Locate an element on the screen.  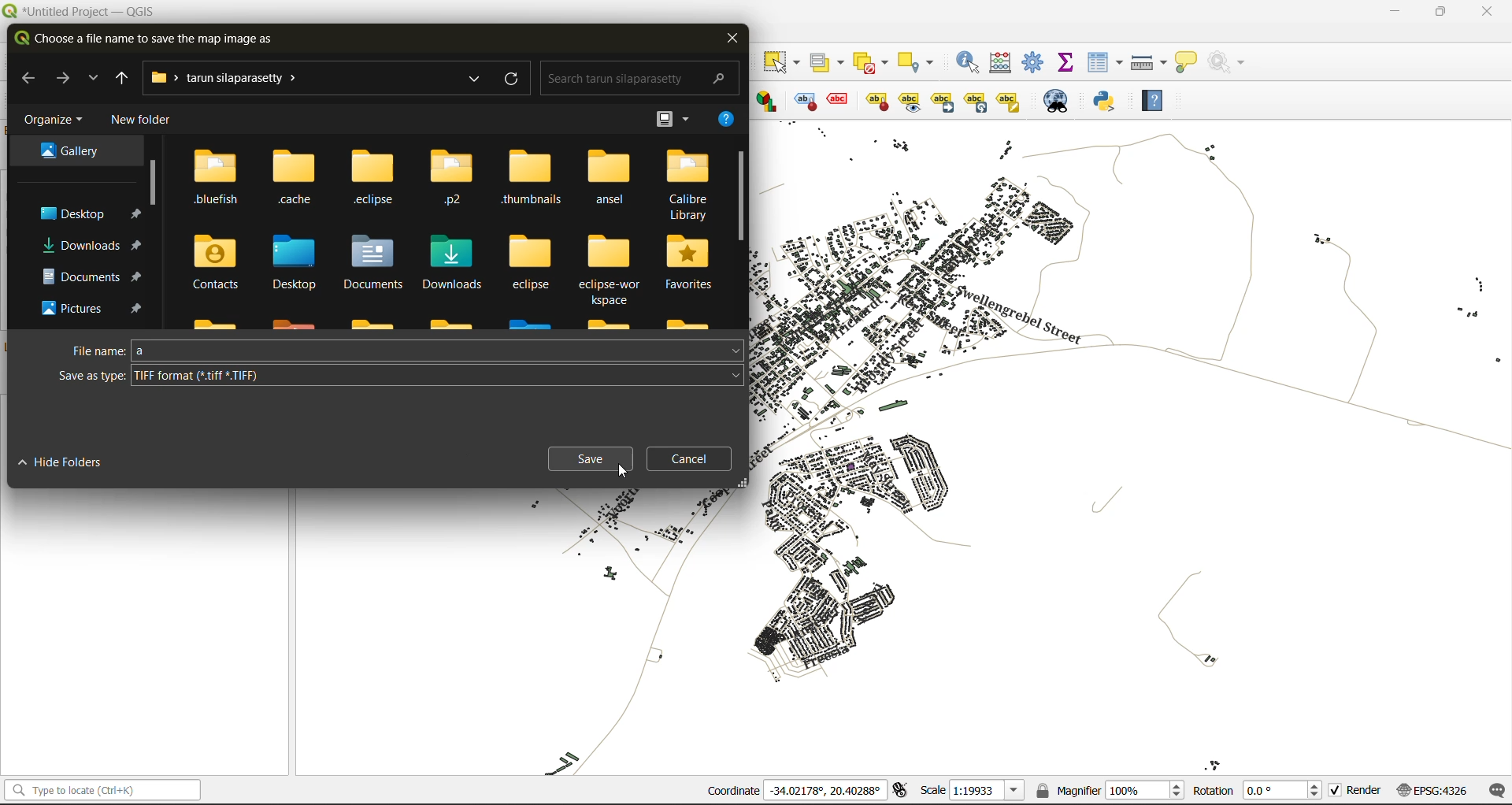
scale is located at coordinates (968, 791).